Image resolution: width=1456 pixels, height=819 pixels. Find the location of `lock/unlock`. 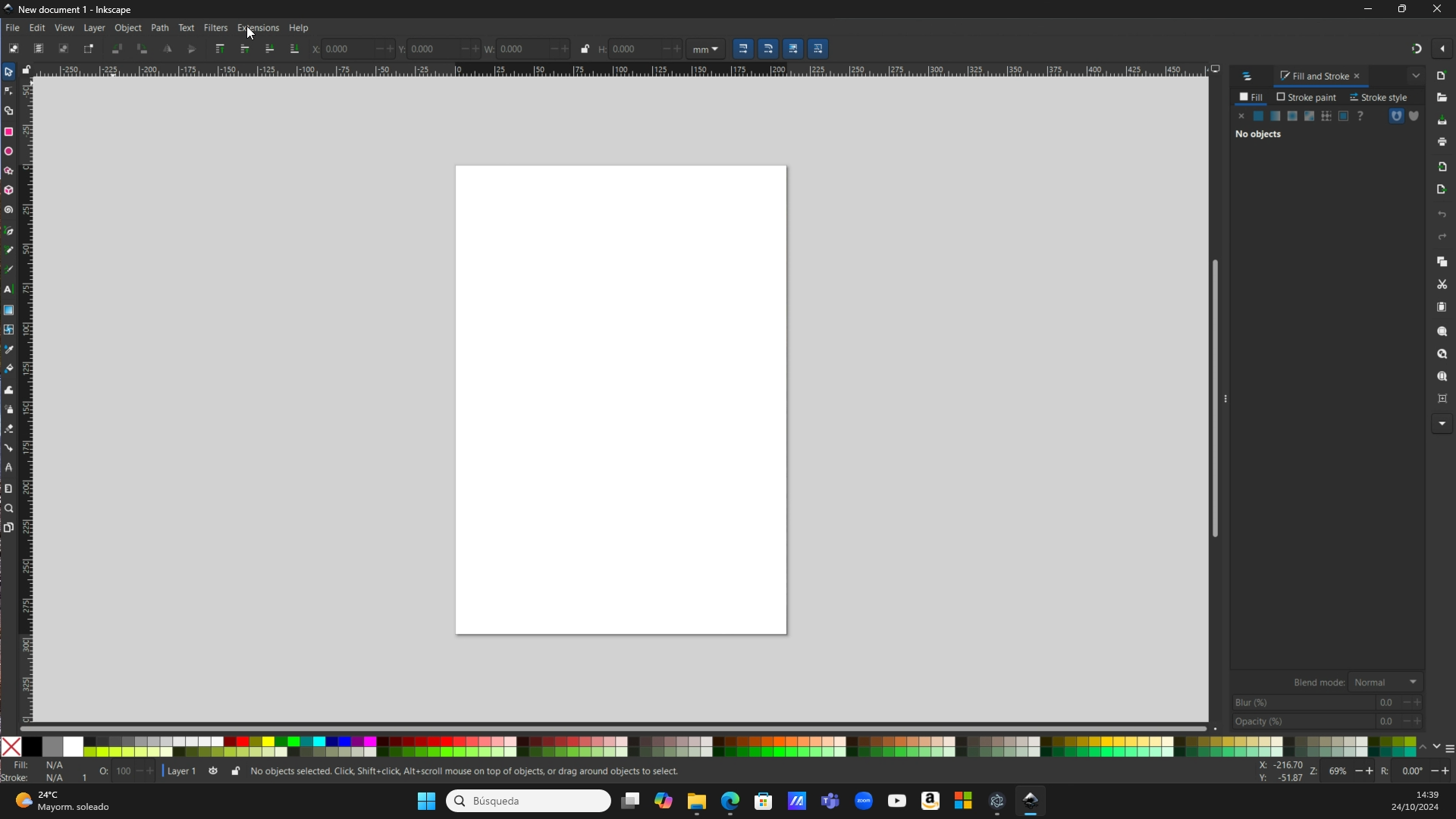

lock/unlock is located at coordinates (30, 69).